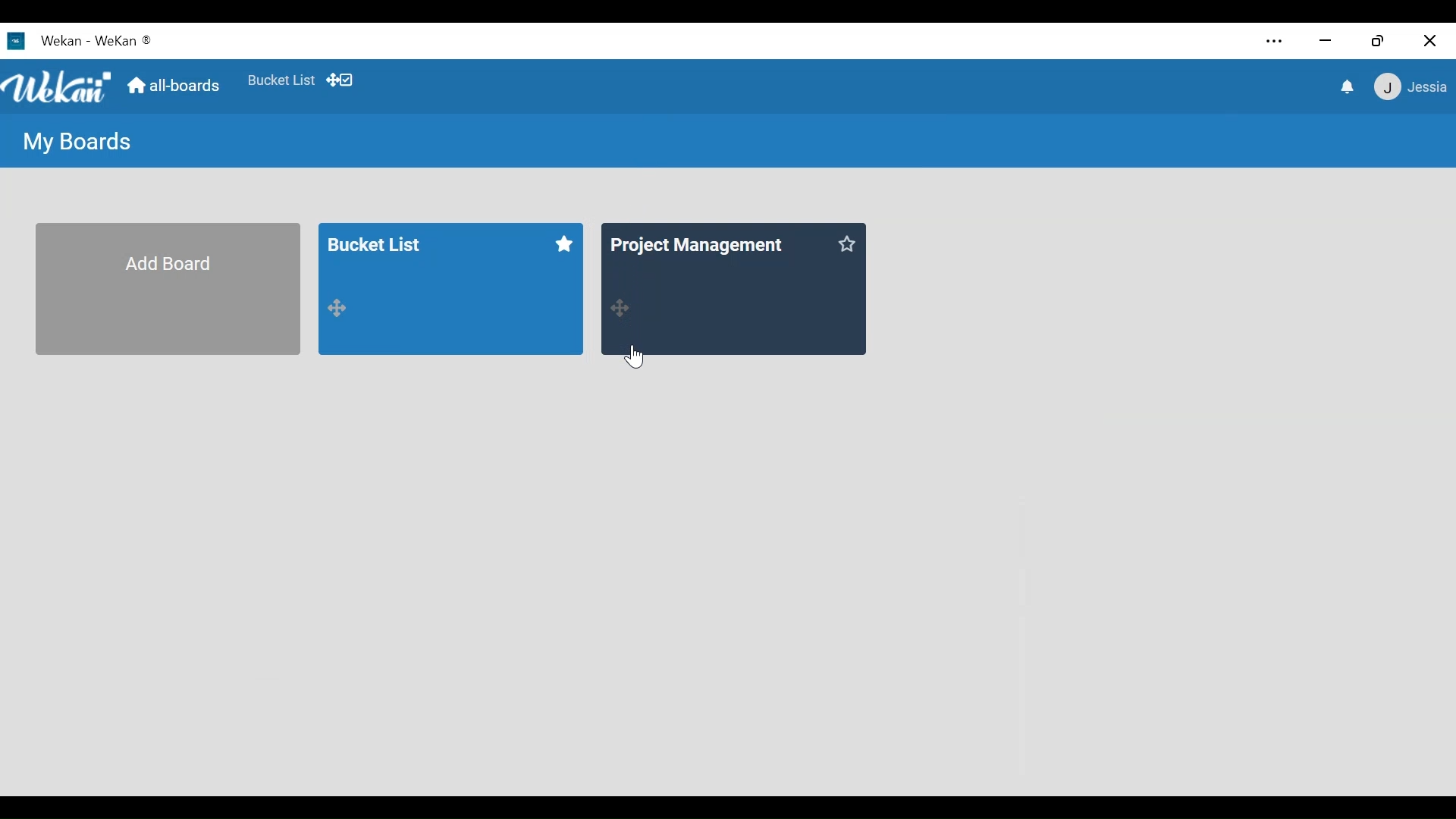  I want to click on Cursor, so click(638, 359).